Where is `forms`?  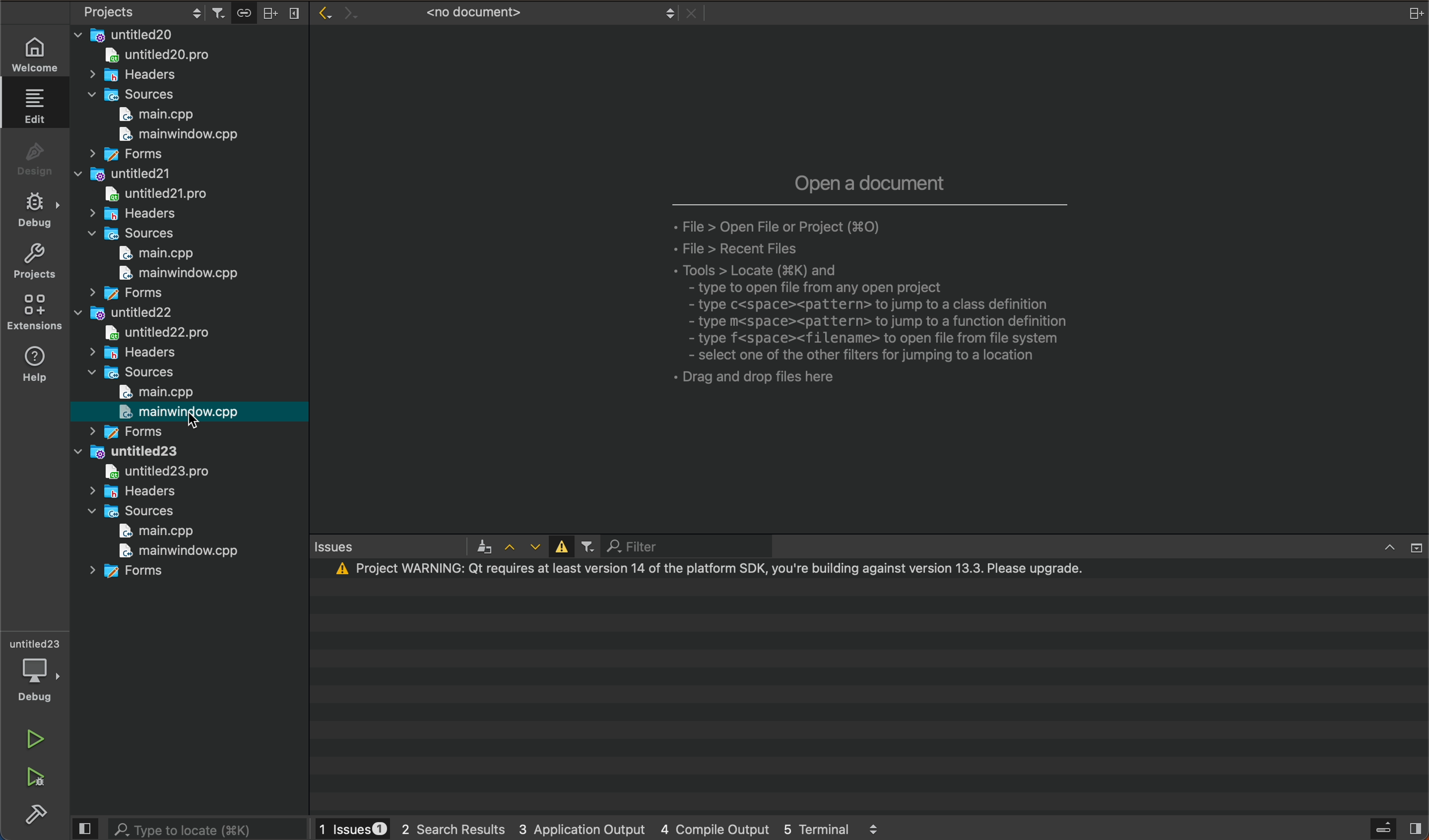
forms is located at coordinates (121, 294).